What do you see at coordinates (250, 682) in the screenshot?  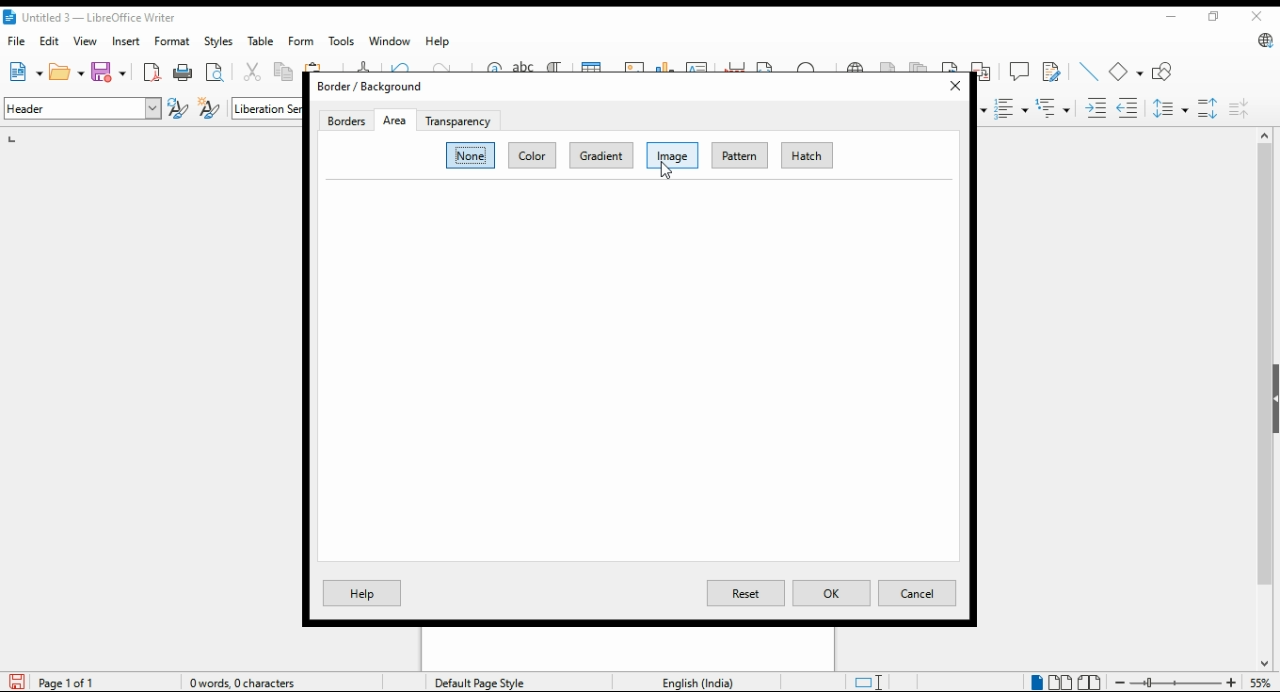 I see `document information` at bounding box center [250, 682].